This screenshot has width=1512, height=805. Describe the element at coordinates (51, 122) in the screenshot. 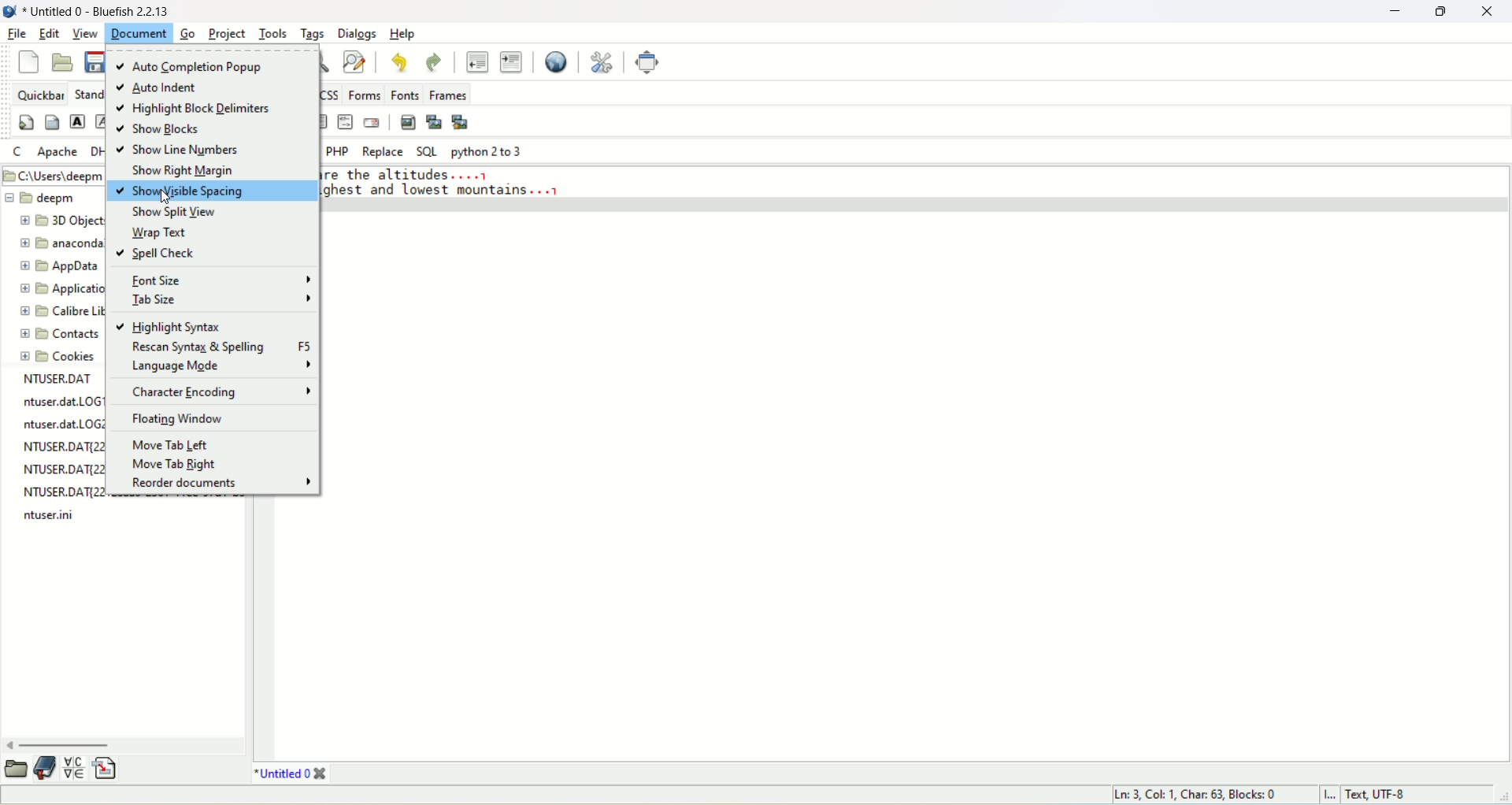

I see `body` at that location.